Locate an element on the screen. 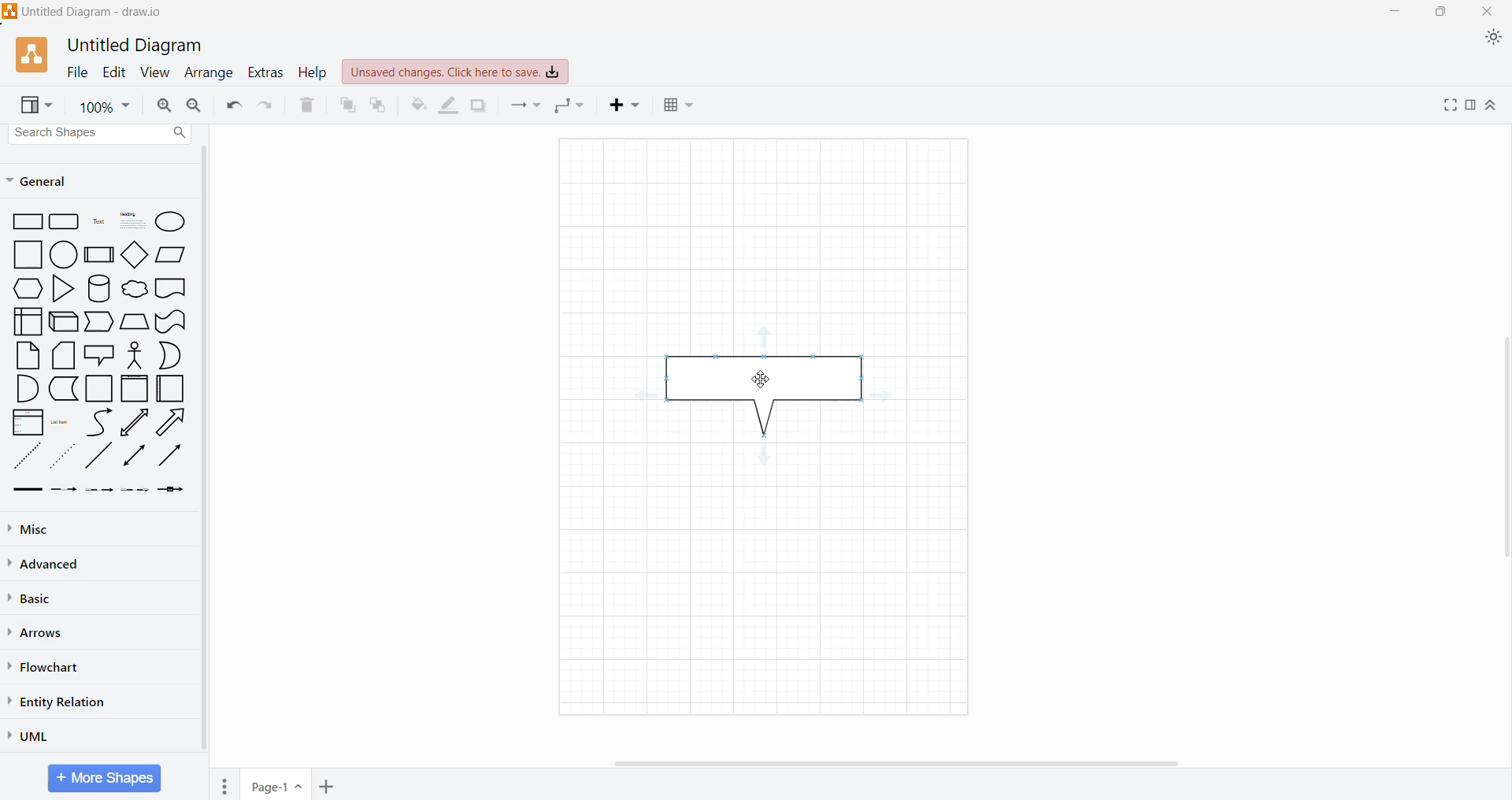  To Back is located at coordinates (380, 106).